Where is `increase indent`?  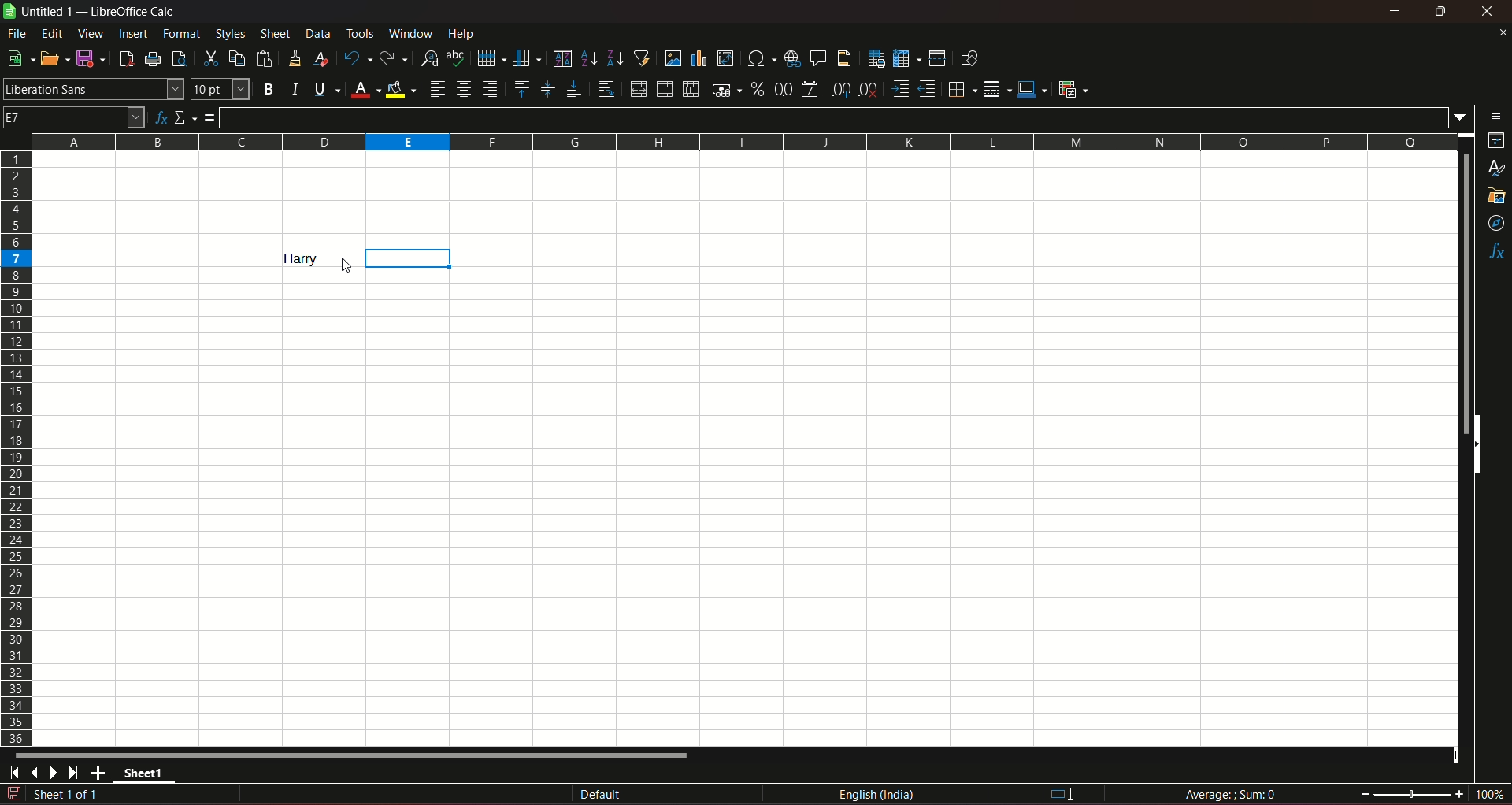
increase indent is located at coordinates (899, 89).